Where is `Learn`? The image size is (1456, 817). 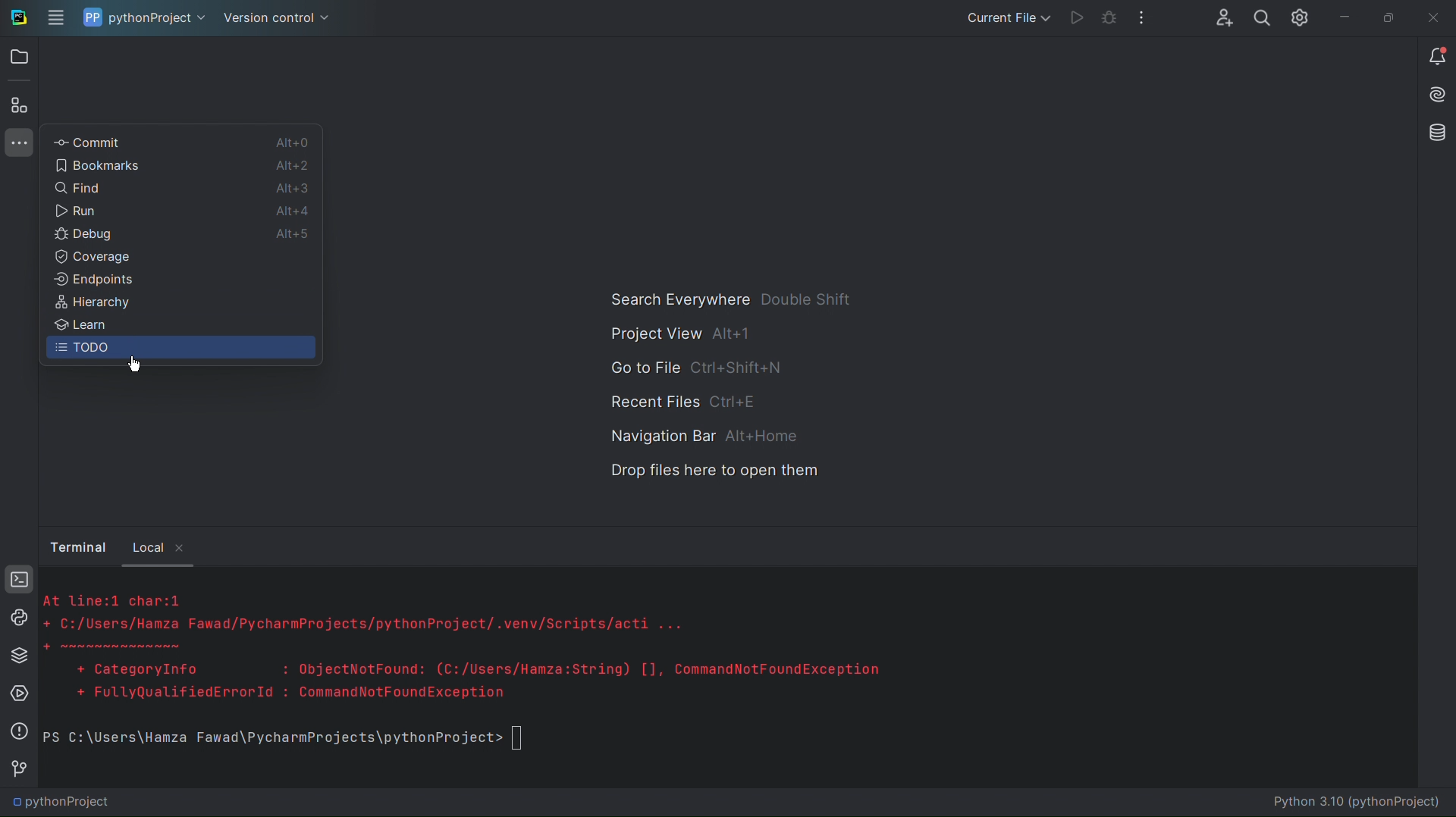 Learn is located at coordinates (179, 327).